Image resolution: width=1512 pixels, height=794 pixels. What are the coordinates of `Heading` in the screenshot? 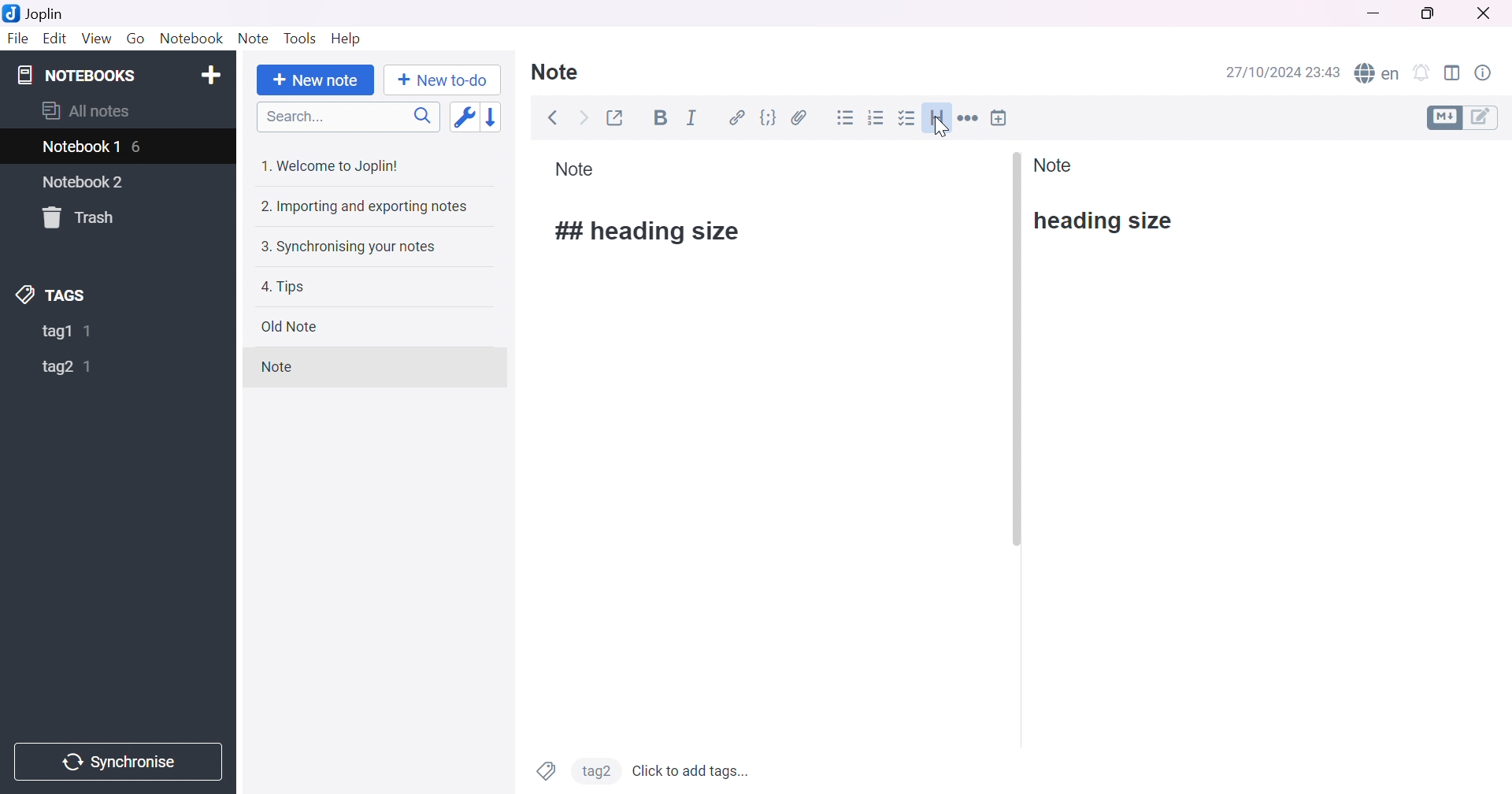 It's located at (938, 118).